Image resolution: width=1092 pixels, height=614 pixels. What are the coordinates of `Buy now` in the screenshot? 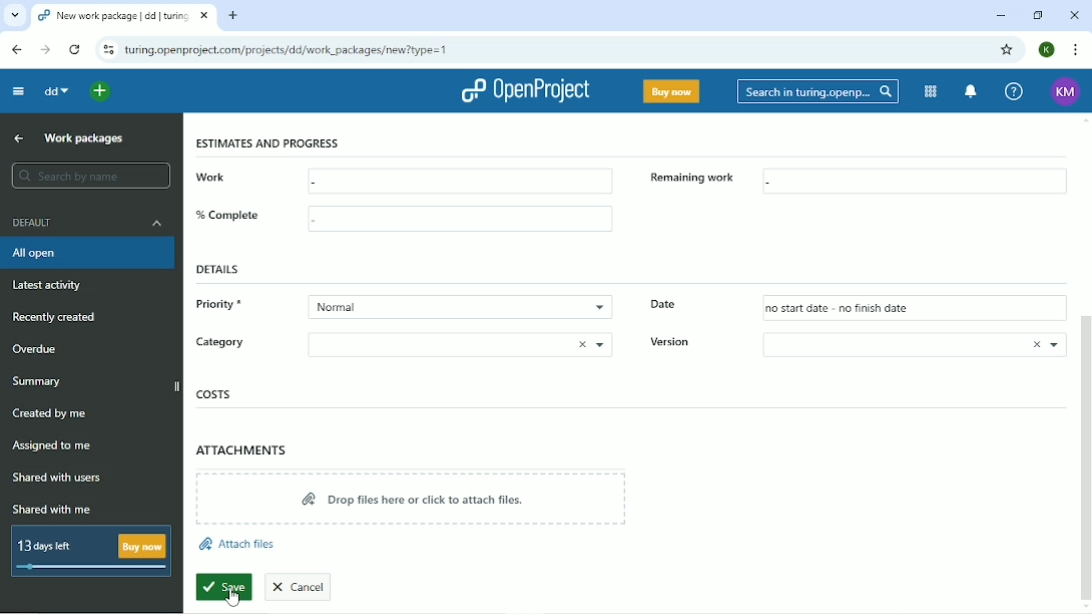 It's located at (671, 92).